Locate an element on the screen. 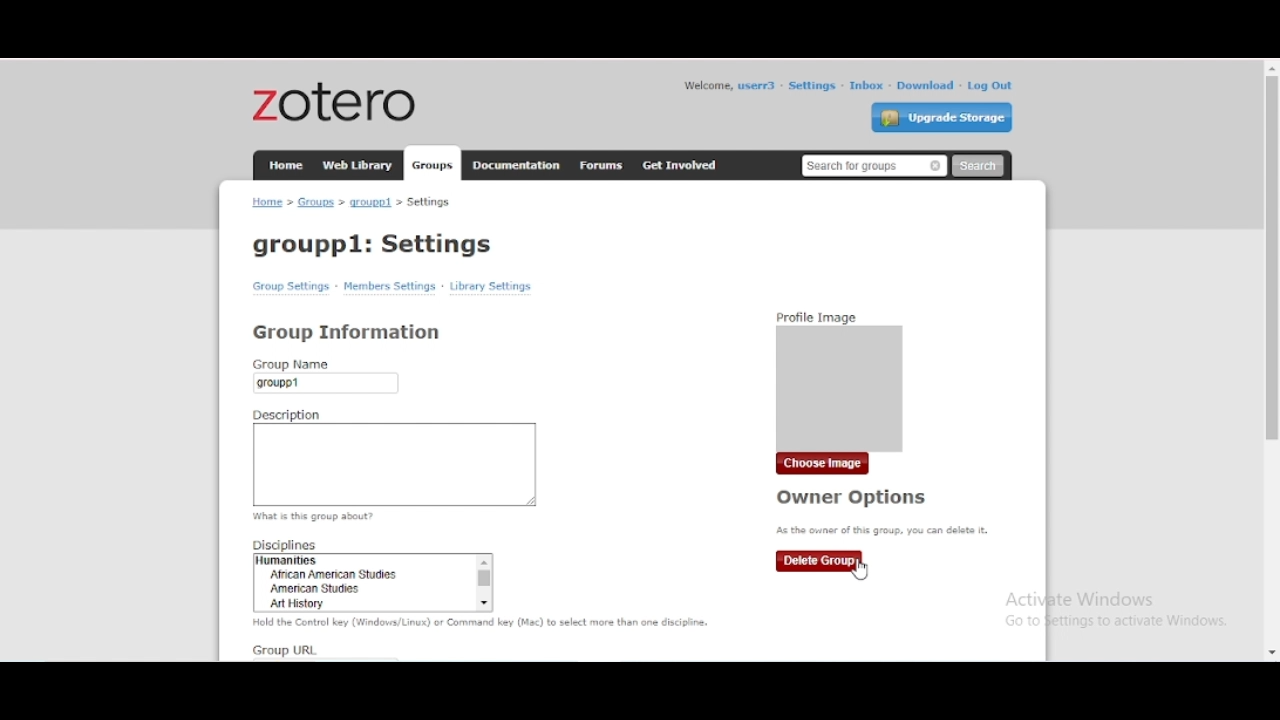 Image resolution: width=1280 pixels, height=720 pixels. upgrade storage is located at coordinates (942, 117).